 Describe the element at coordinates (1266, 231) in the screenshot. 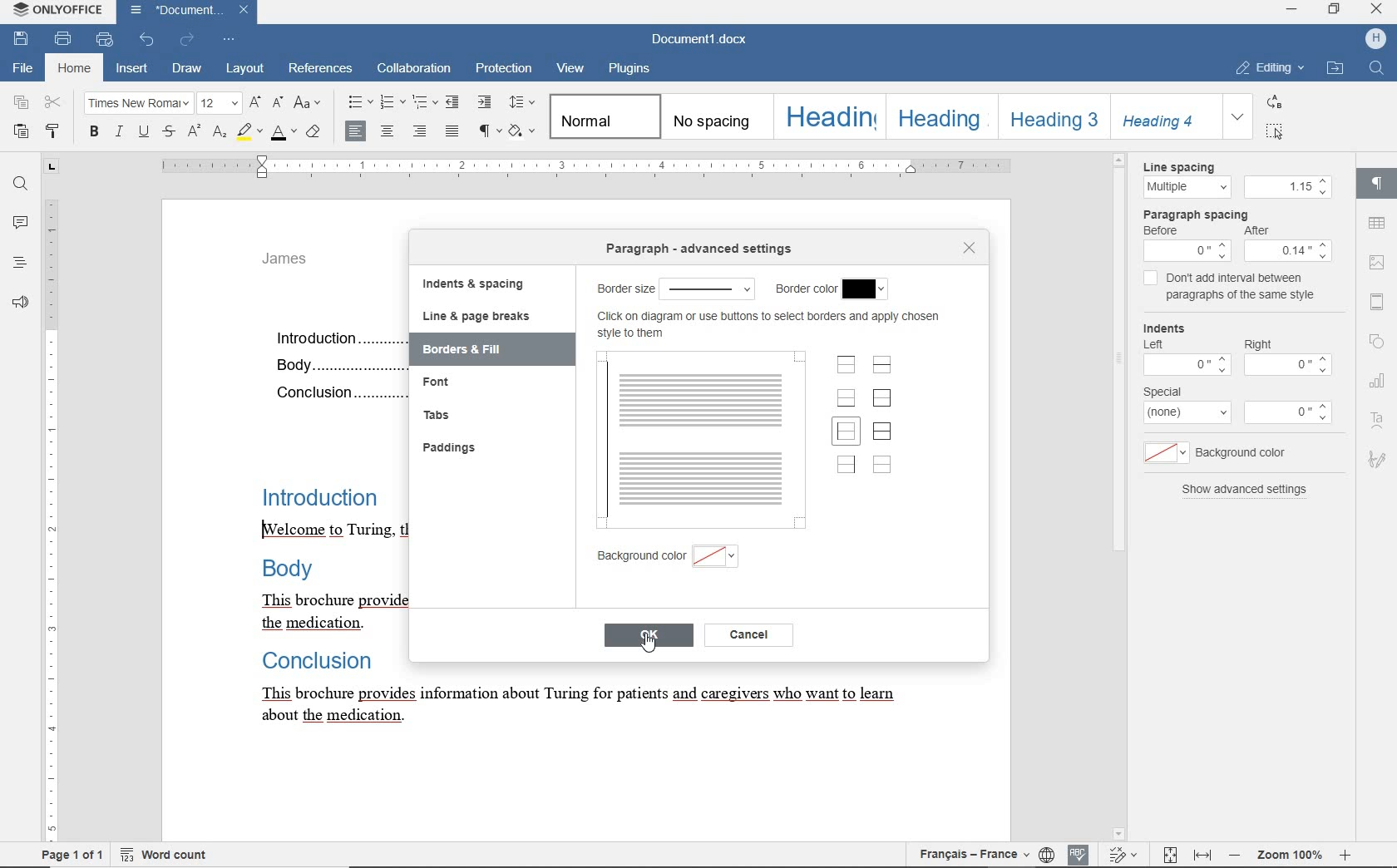

I see `After` at that location.